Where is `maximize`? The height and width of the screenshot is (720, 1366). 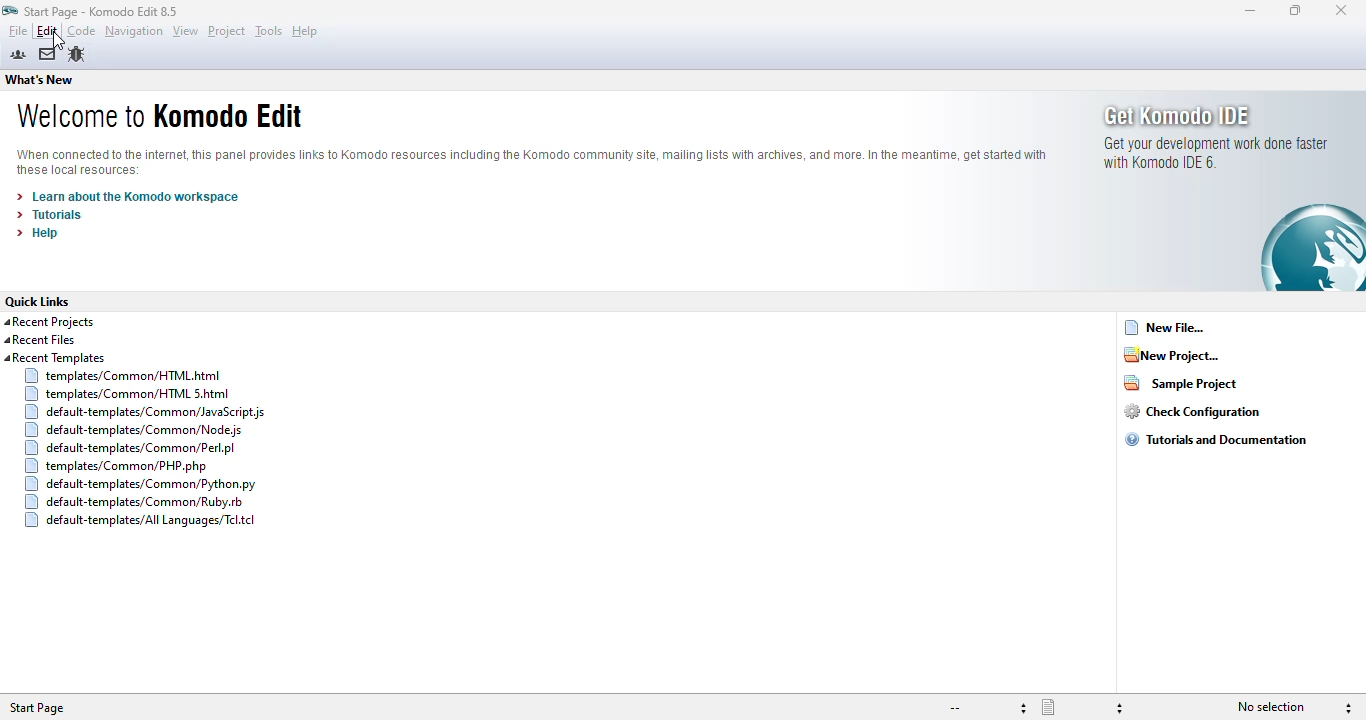 maximize is located at coordinates (1296, 10).